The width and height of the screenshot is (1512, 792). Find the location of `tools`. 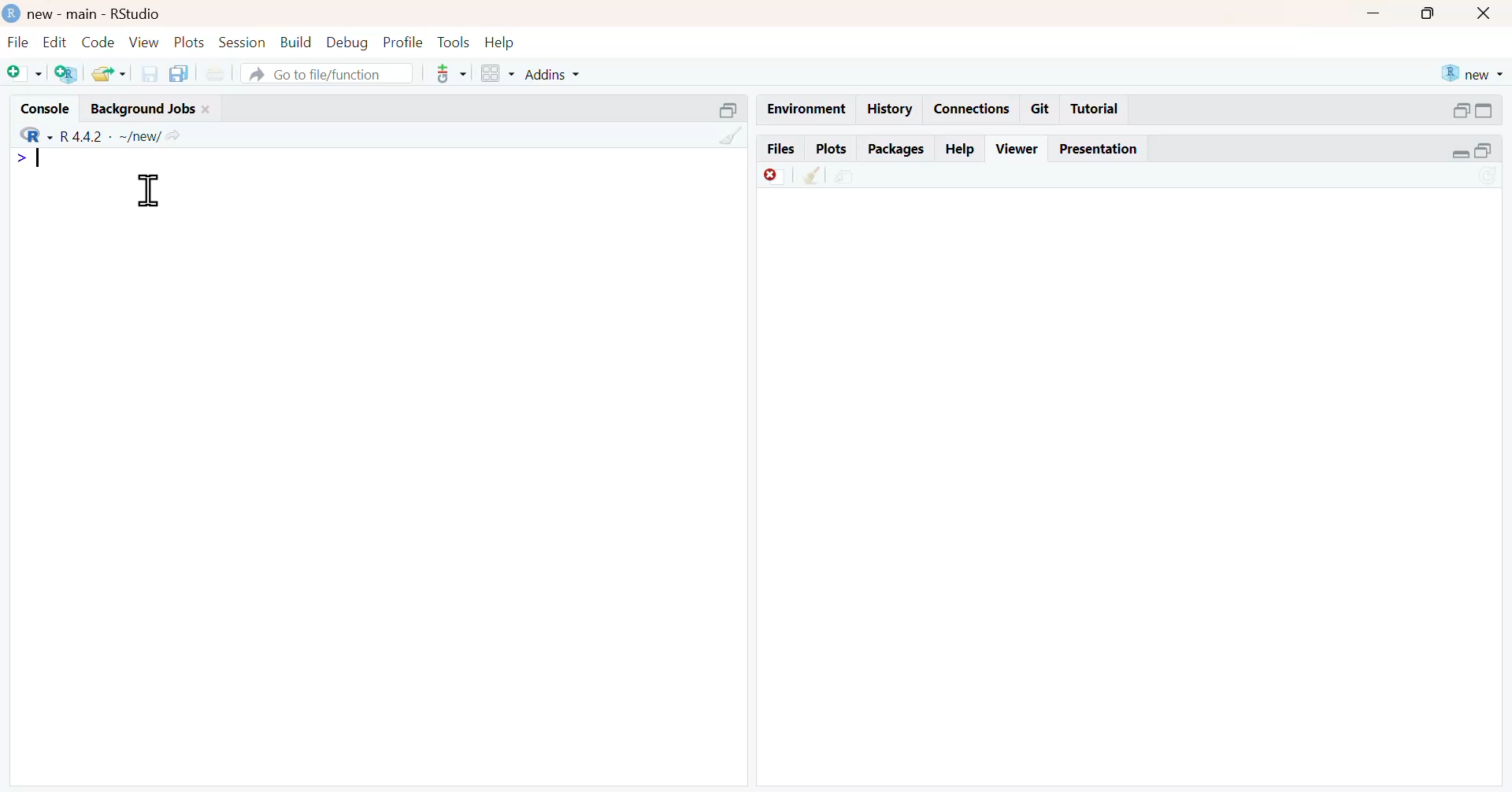

tools is located at coordinates (453, 41).